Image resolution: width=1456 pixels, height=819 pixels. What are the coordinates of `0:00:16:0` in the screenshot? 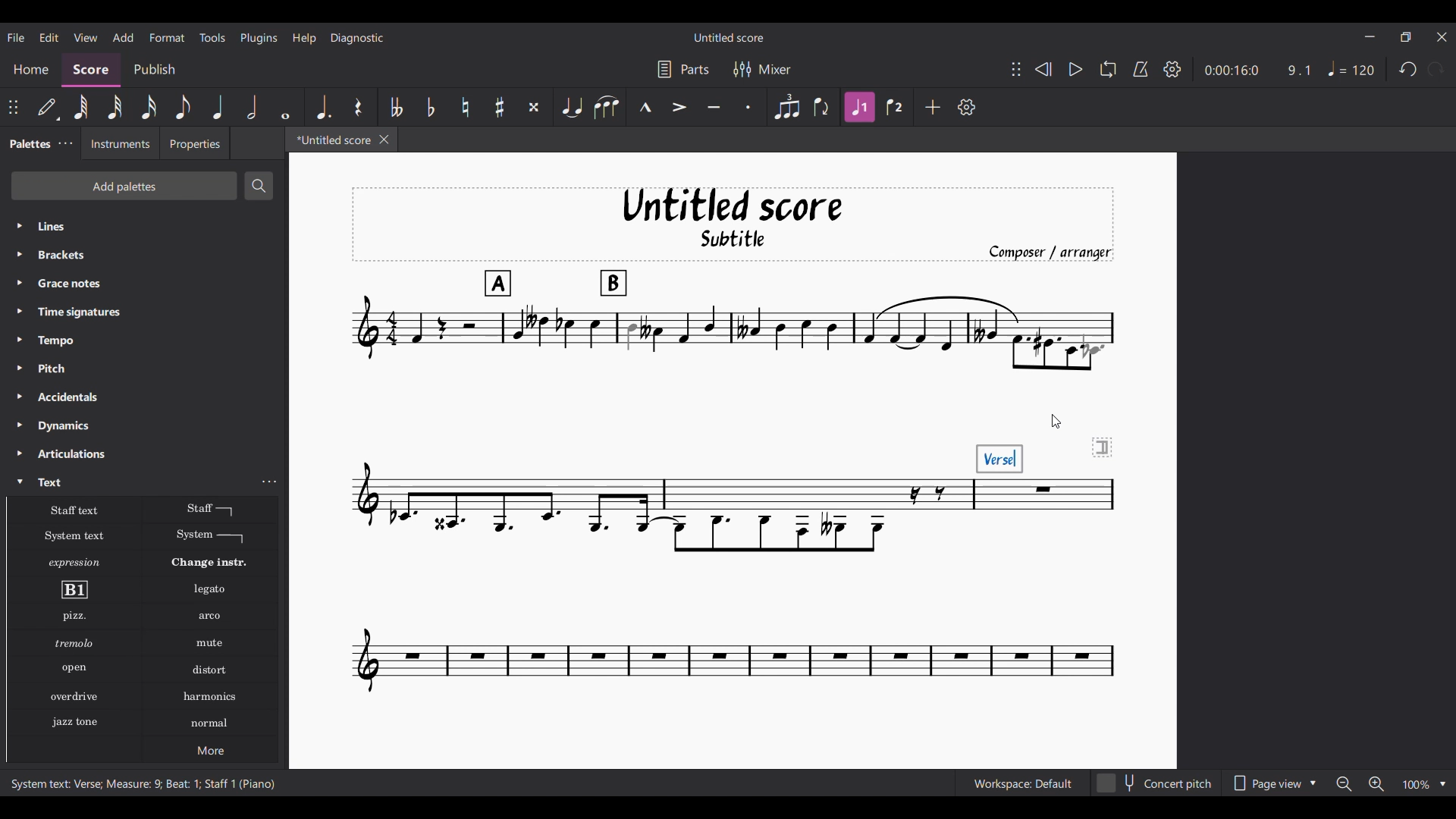 It's located at (1232, 71).